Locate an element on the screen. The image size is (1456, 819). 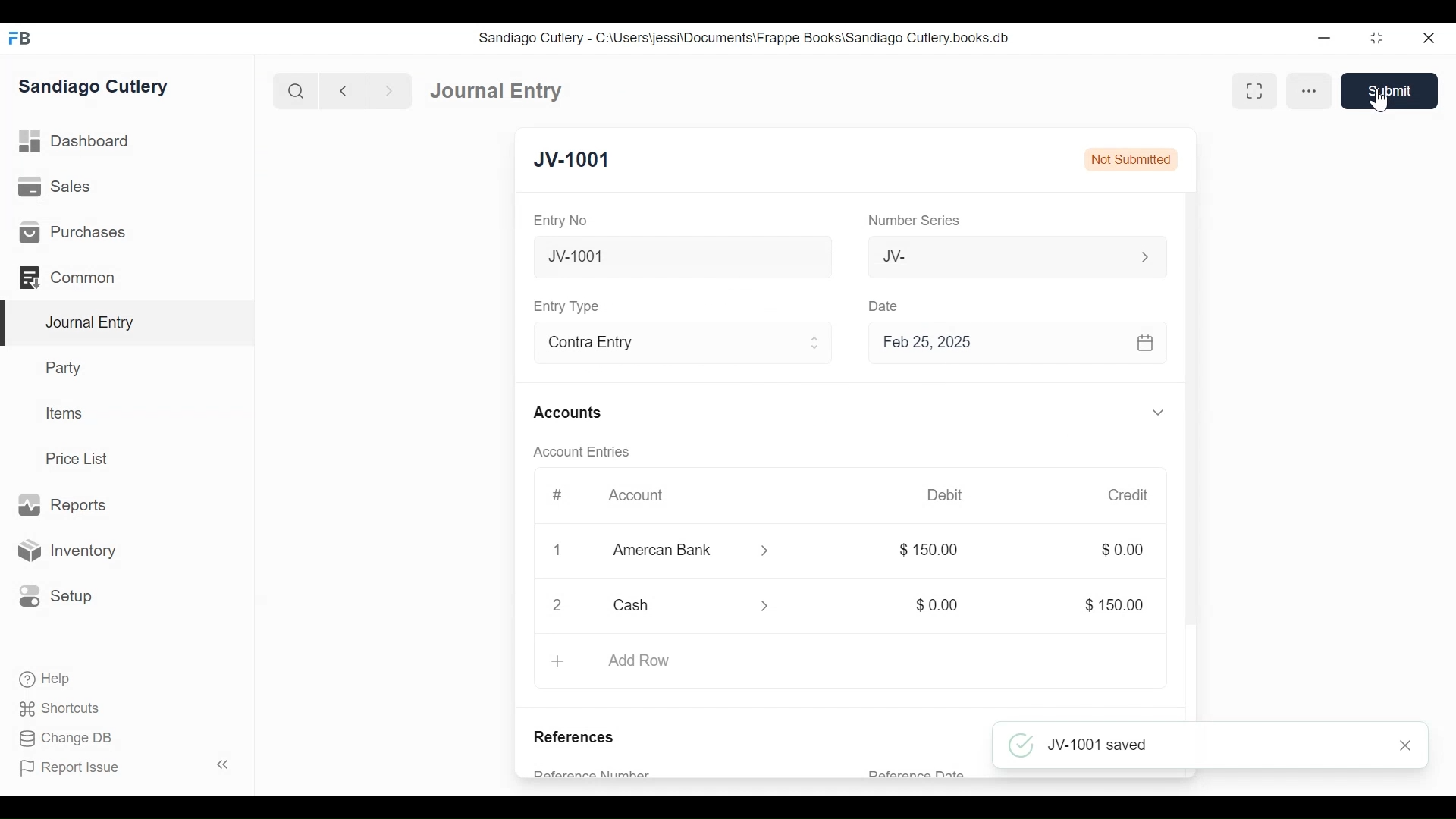
Amercan Bank is located at coordinates (679, 552).